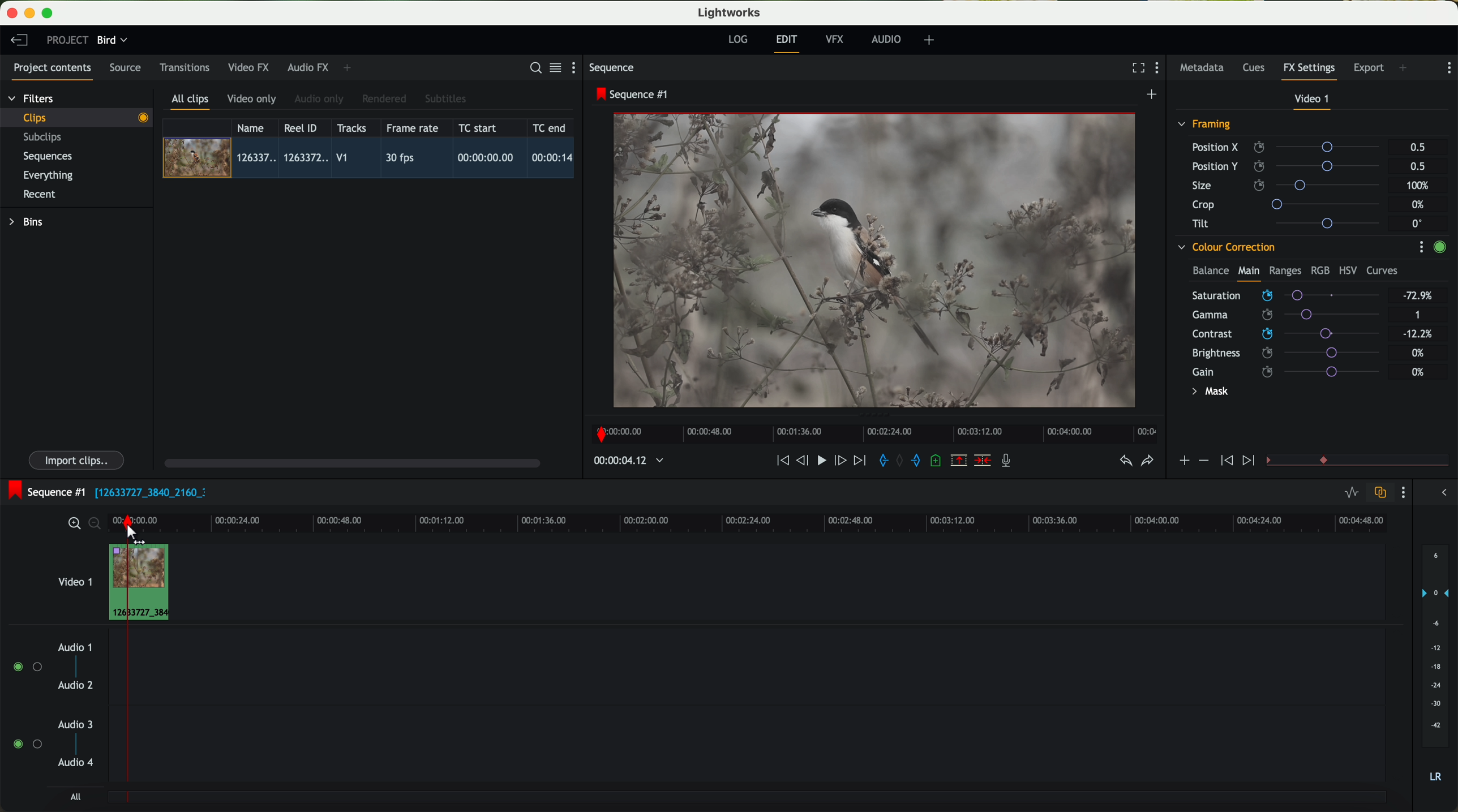  What do you see at coordinates (788, 42) in the screenshot?
I see `edit` at bounding box center [788, 42].